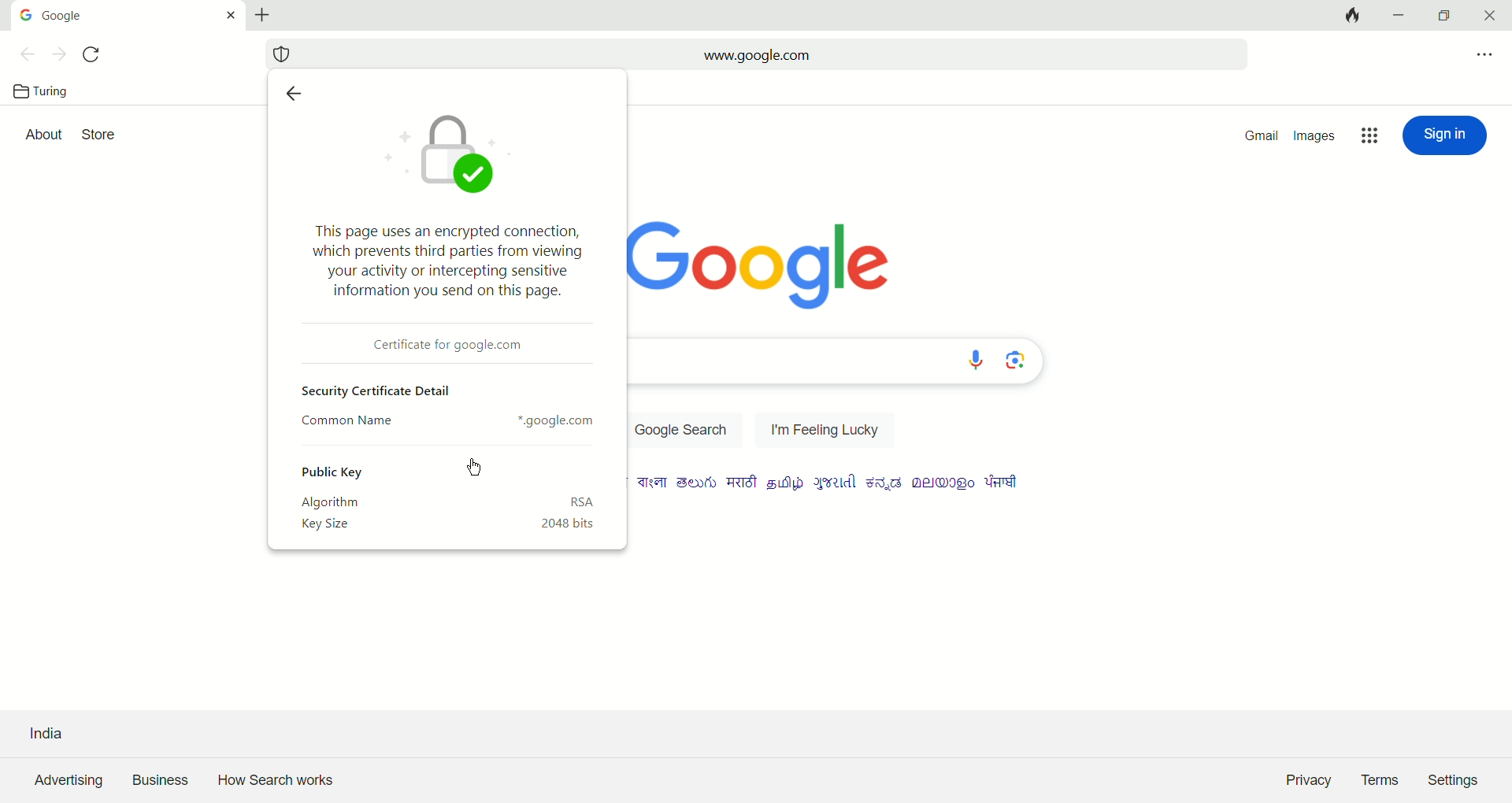 This screenshot has height=803, width=1512. What do you see at coordinates (447, 526) in the screenshot?
I see `key size 2048 bits` at bounding box center [447, 526].